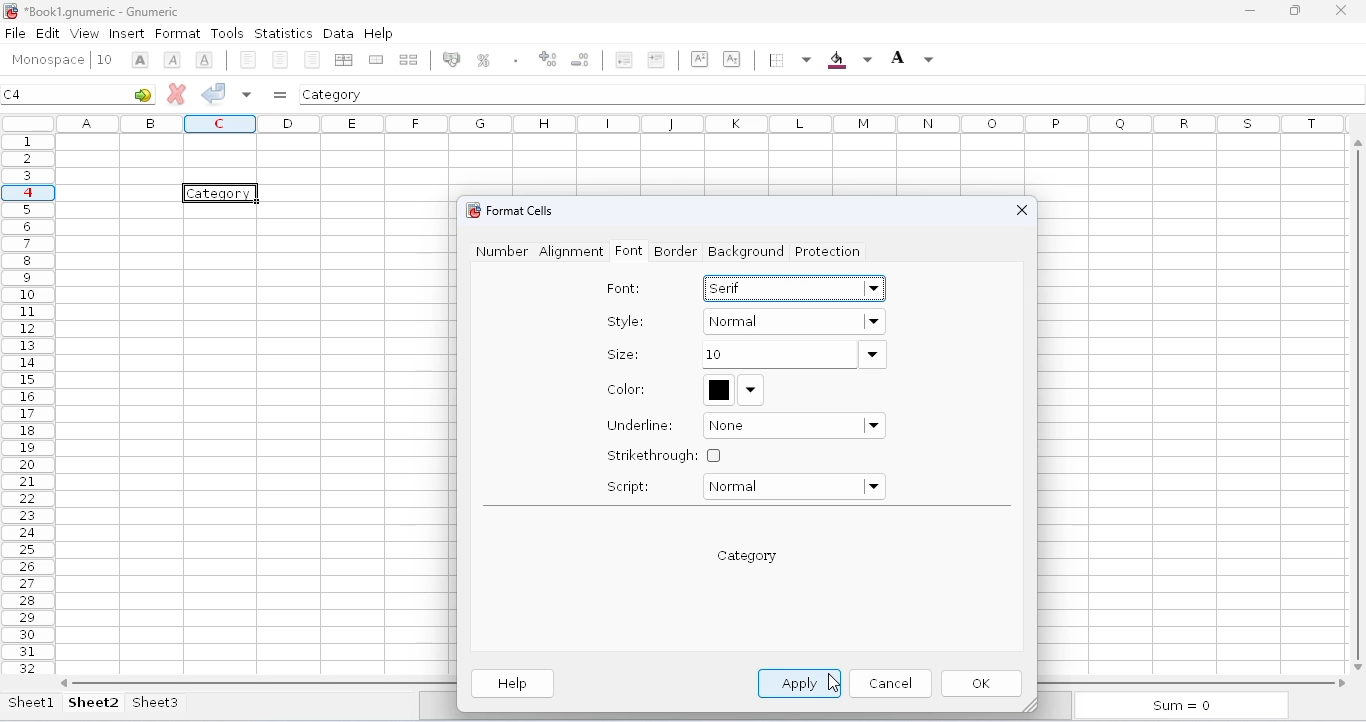 The width and height of the screenshot is (1366, 722). Describe the element at coordinates (734, 389) in the screenshot. I see `color` at that location.